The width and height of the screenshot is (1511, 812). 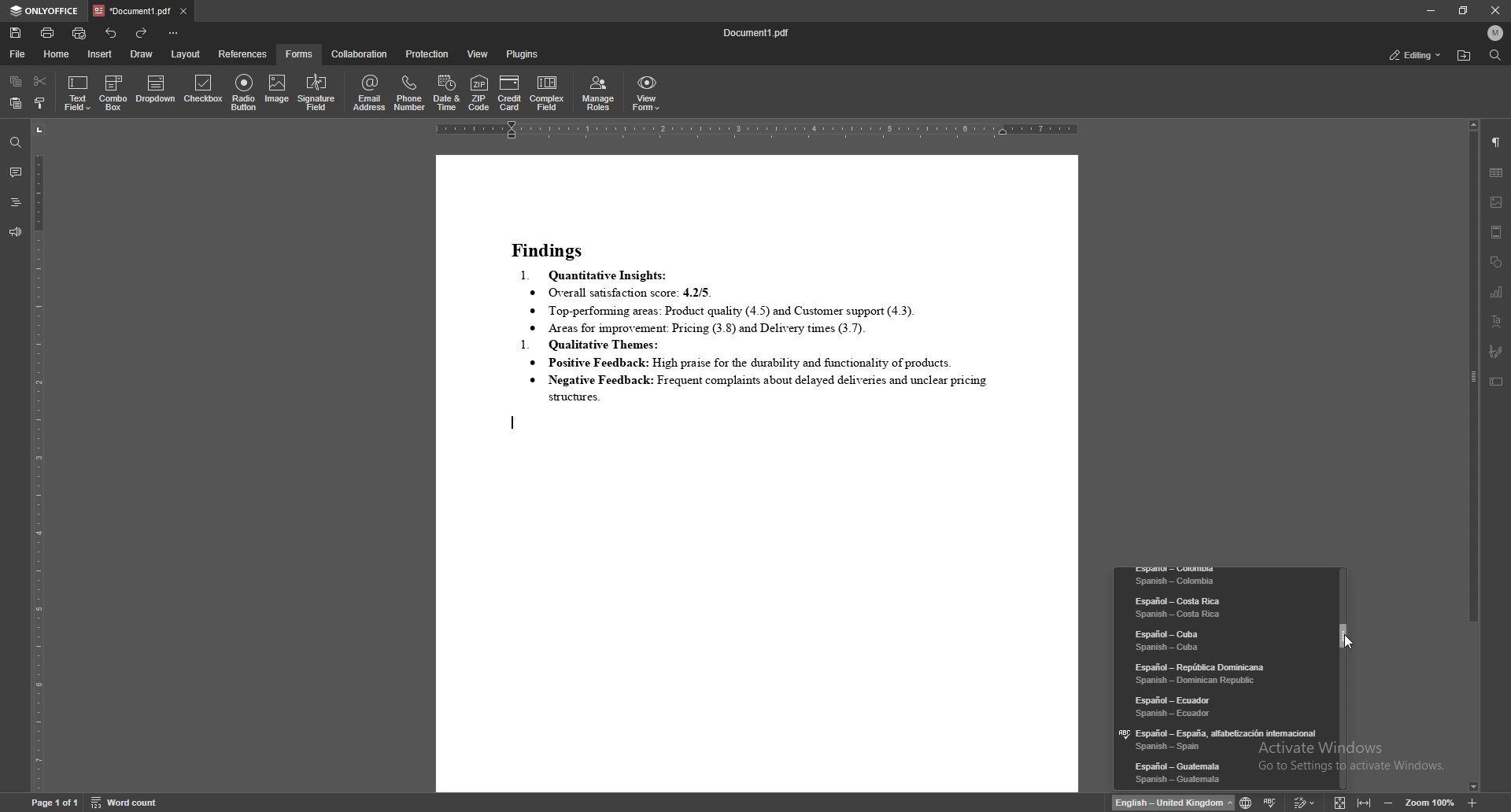 What do you see at coordinates (1223, 773) in the screenshot?
I see `language` at bounding box center [1223, 773].